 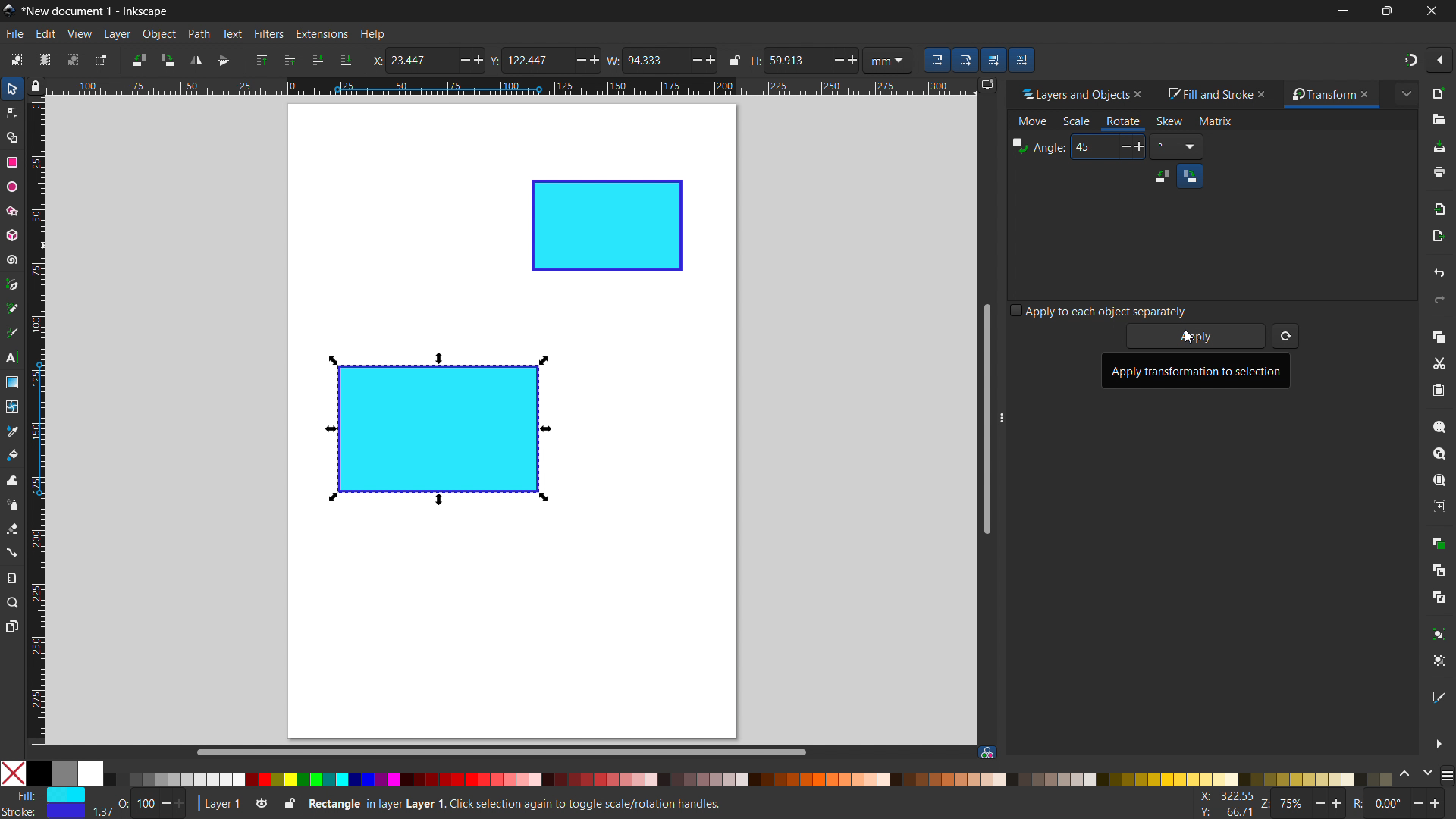 I want to click on H: 59.913, so click(x=781, y=60).